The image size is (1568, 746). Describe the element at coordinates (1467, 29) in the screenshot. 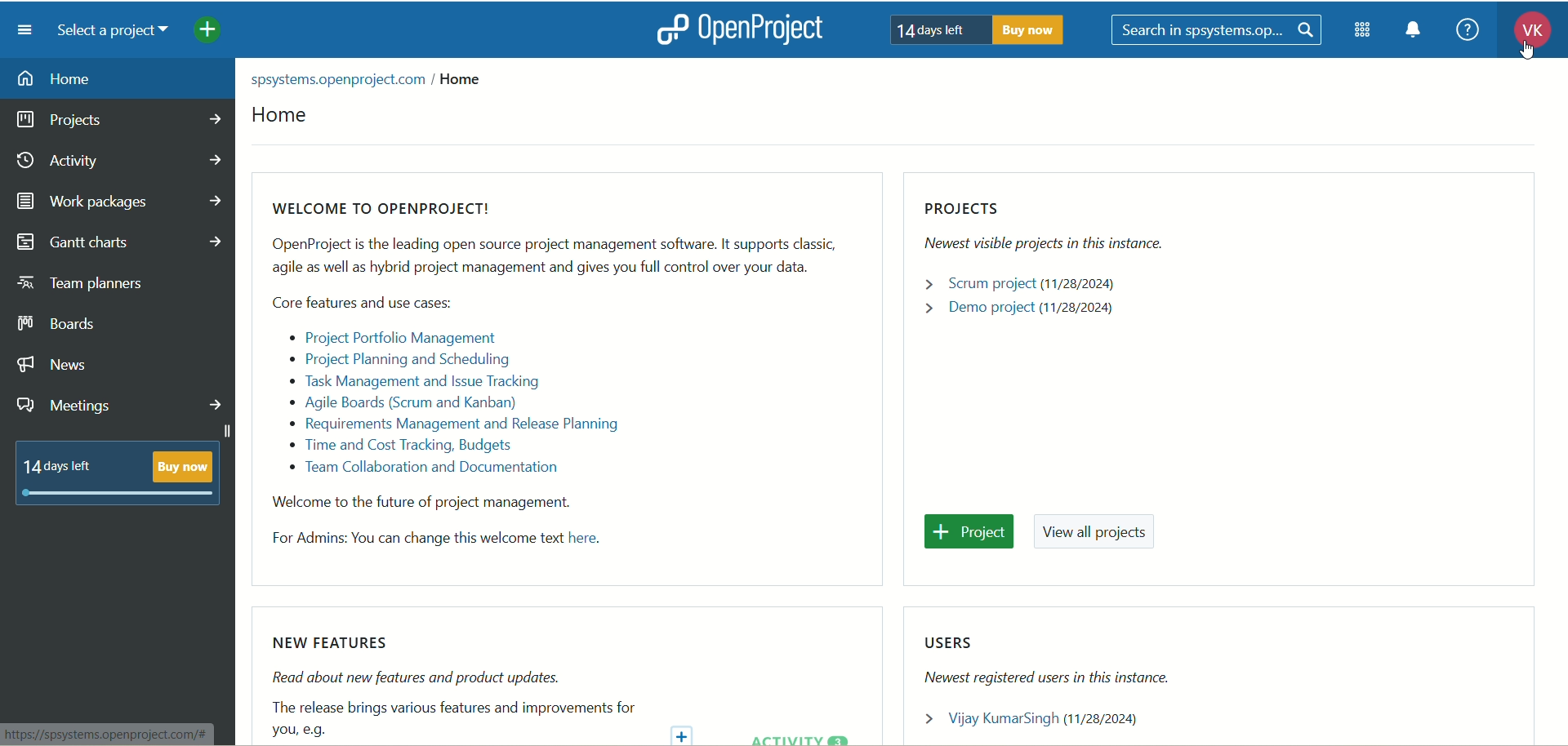

I see `help` at that location.